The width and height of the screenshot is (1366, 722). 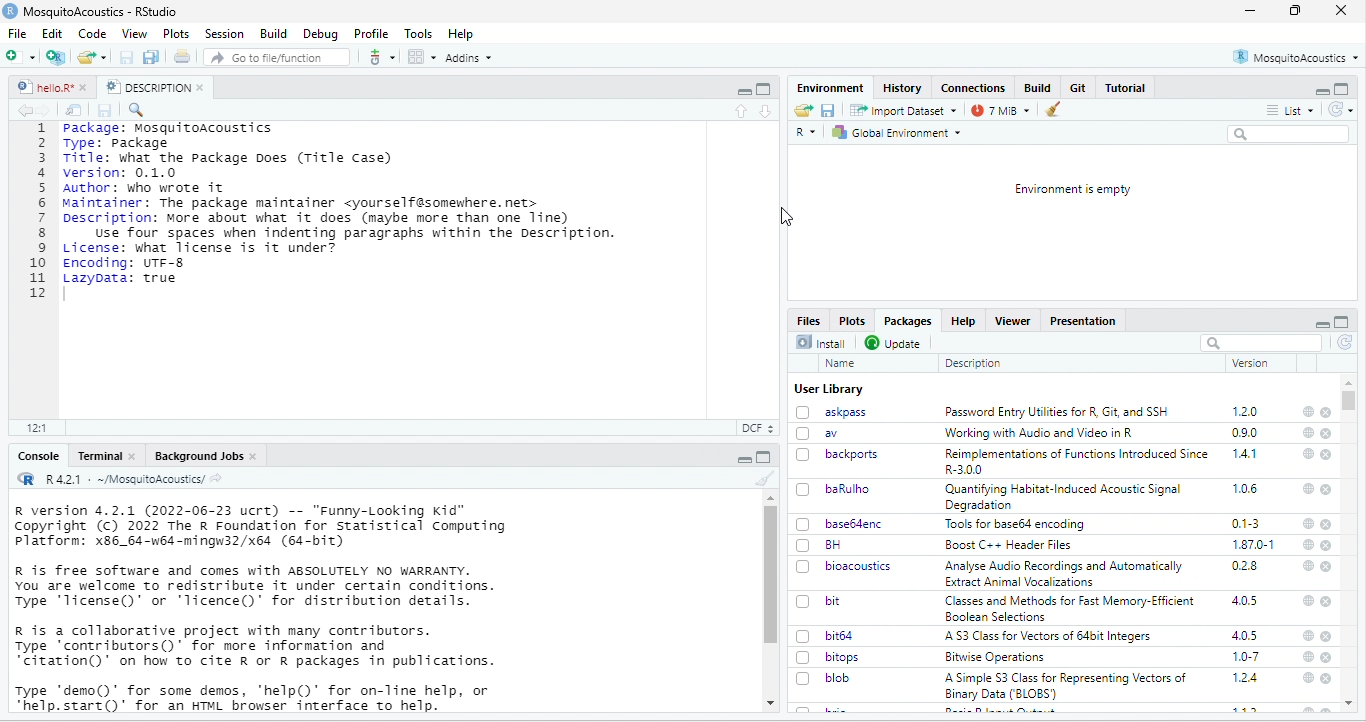 What do you see at coordinates (261, 527) in the screenshot?
I see `R version 4.2.1 (2022-06-23 ucrt) -- "Funny-Looking Kid"
Copyright (c) 2022 The R Foundation for statistical Computing
platform: x86_64-w64-mingw32/x64 (64-bit)` at bounding box center [261, 527].